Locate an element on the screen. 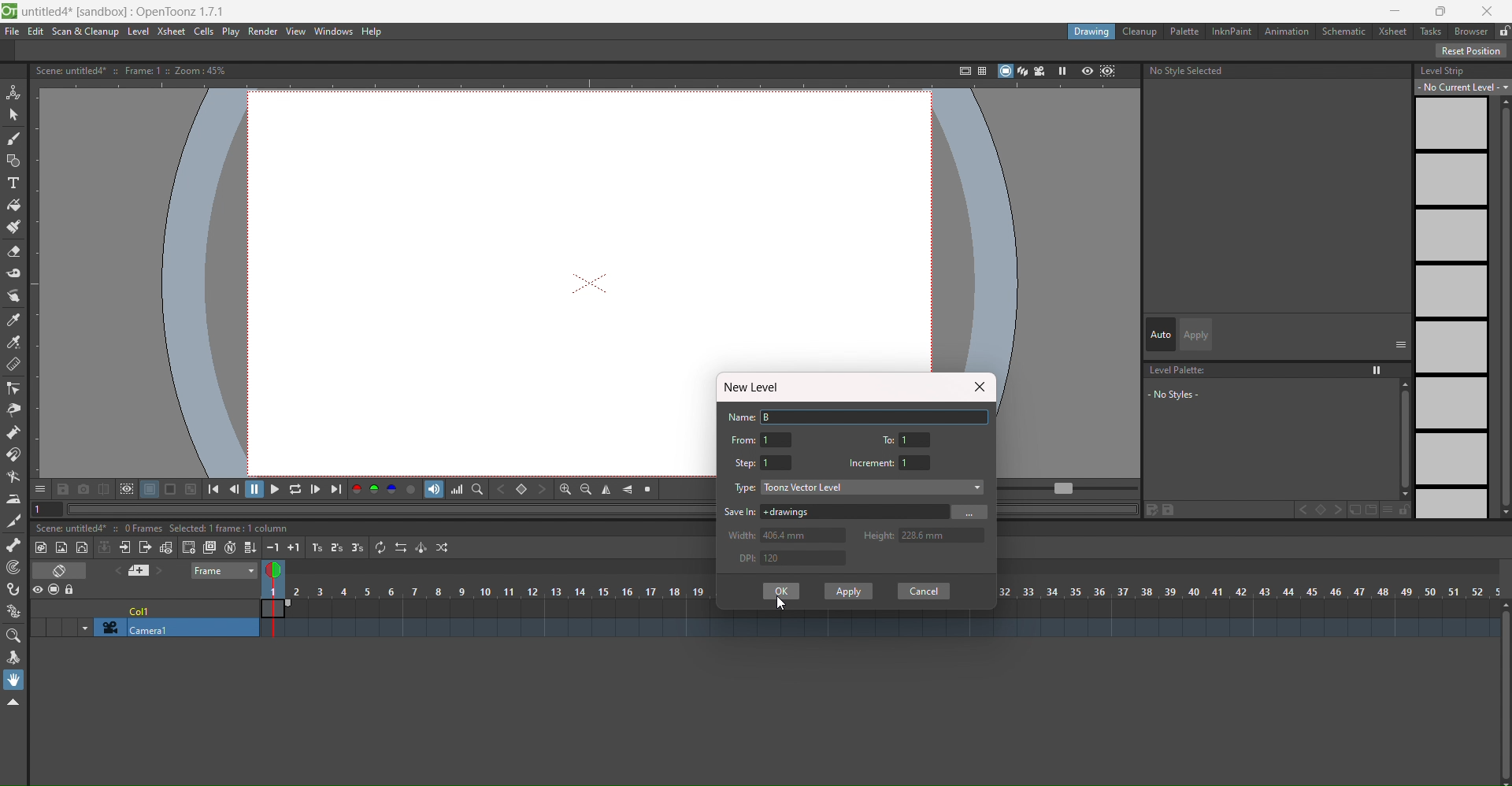 This screenshot has height=786, width=1512. options is located at coordinates (40, 488).